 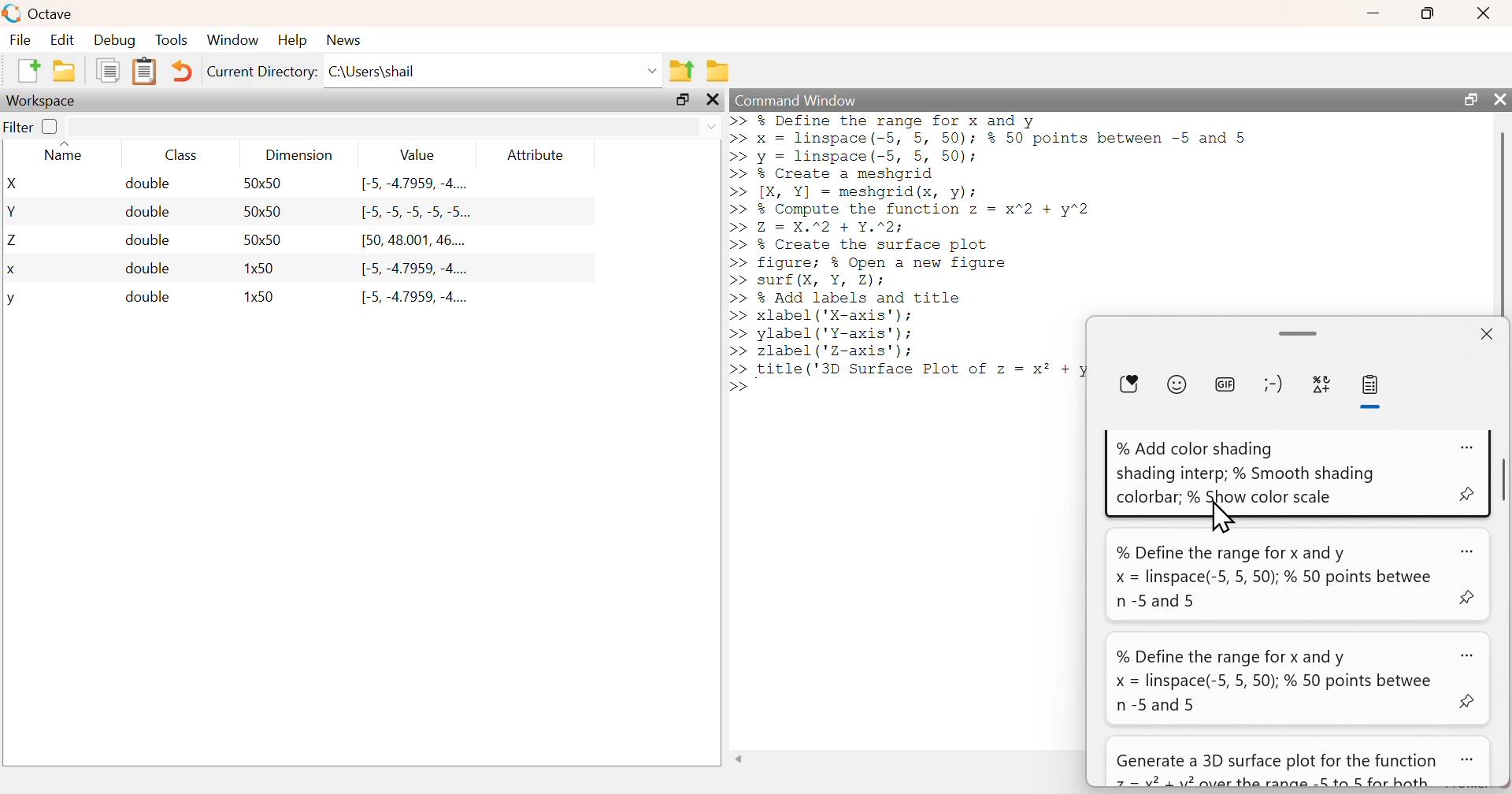 I want to click on Edit, so click(x=61, y=39).